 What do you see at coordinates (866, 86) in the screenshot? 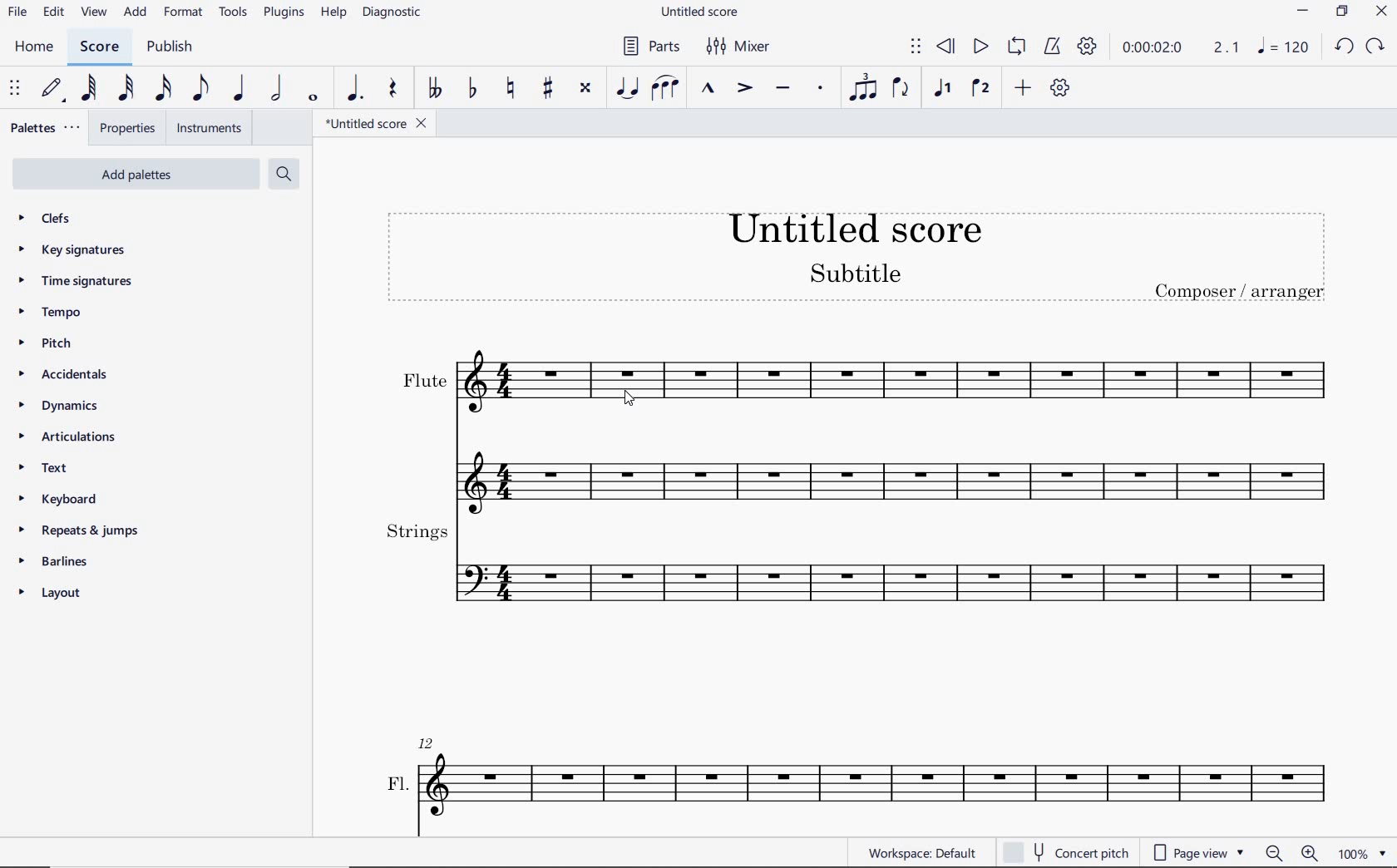
I see `TUPLET` at bounding box center [866, 86].